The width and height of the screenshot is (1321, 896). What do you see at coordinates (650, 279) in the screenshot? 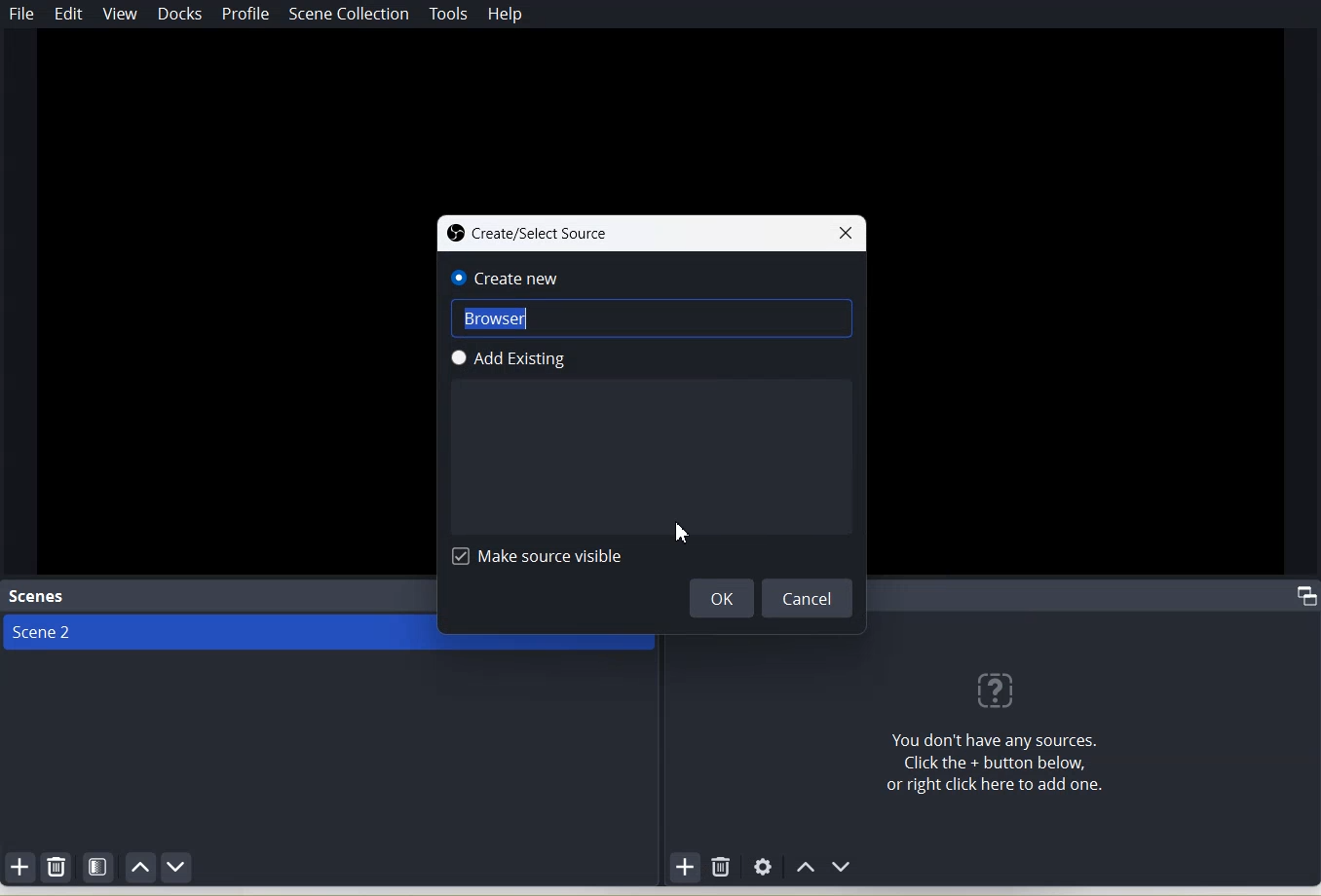
I see `Create New` at bounding box center [650, 279].